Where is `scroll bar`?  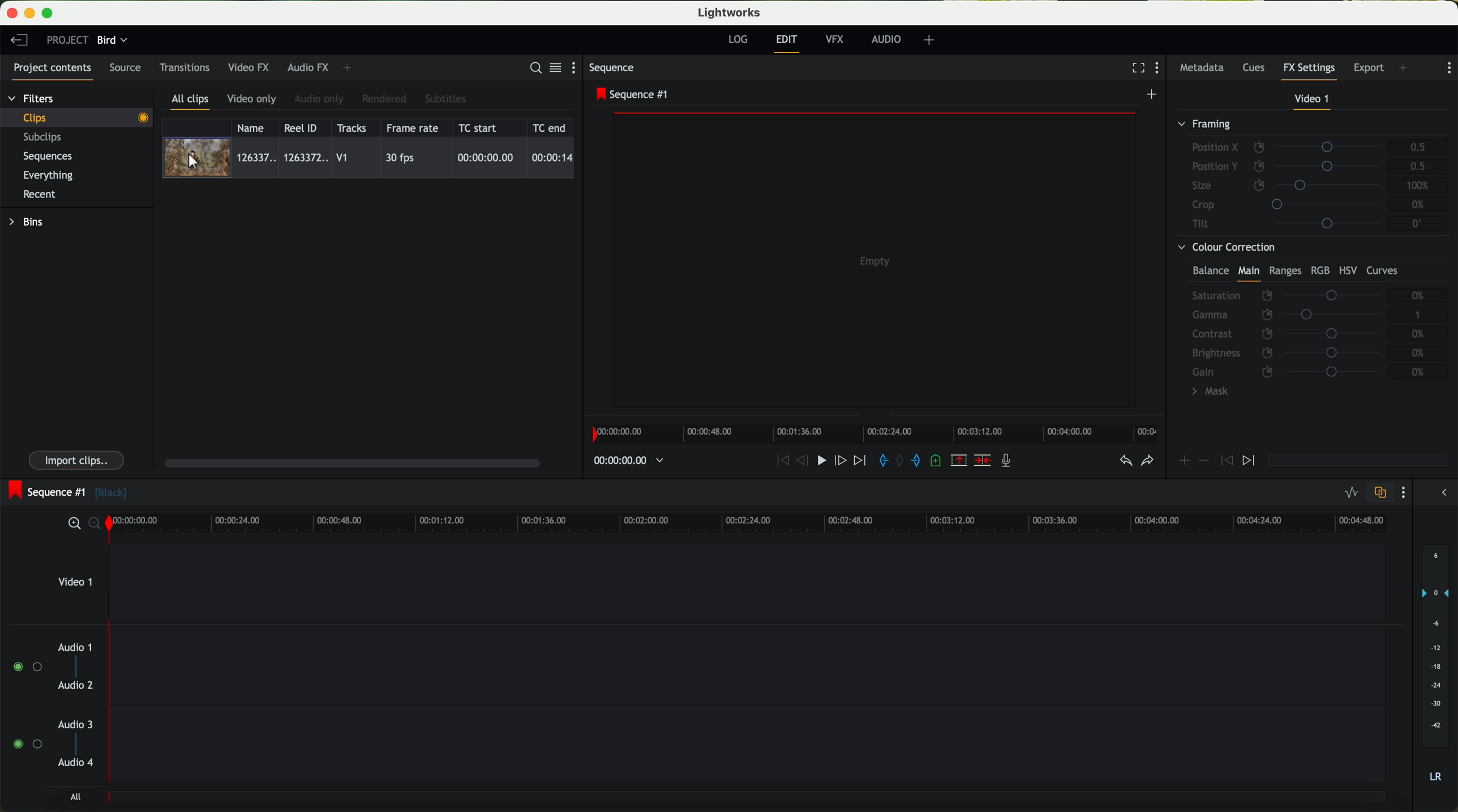
scroll bar is located at coordinates (351, 462).